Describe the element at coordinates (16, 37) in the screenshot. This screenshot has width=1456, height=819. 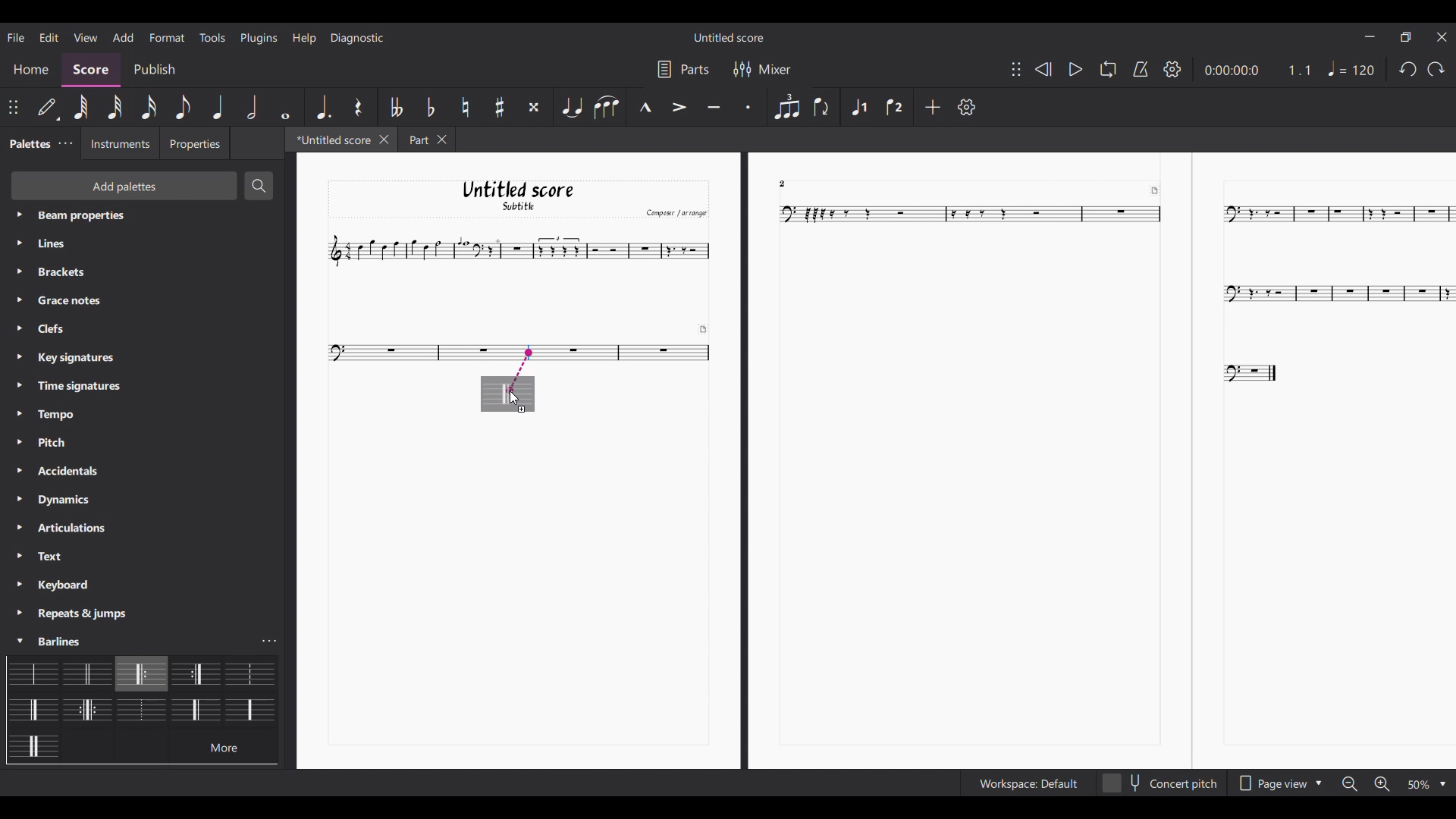
I see `File menu ` at that location.